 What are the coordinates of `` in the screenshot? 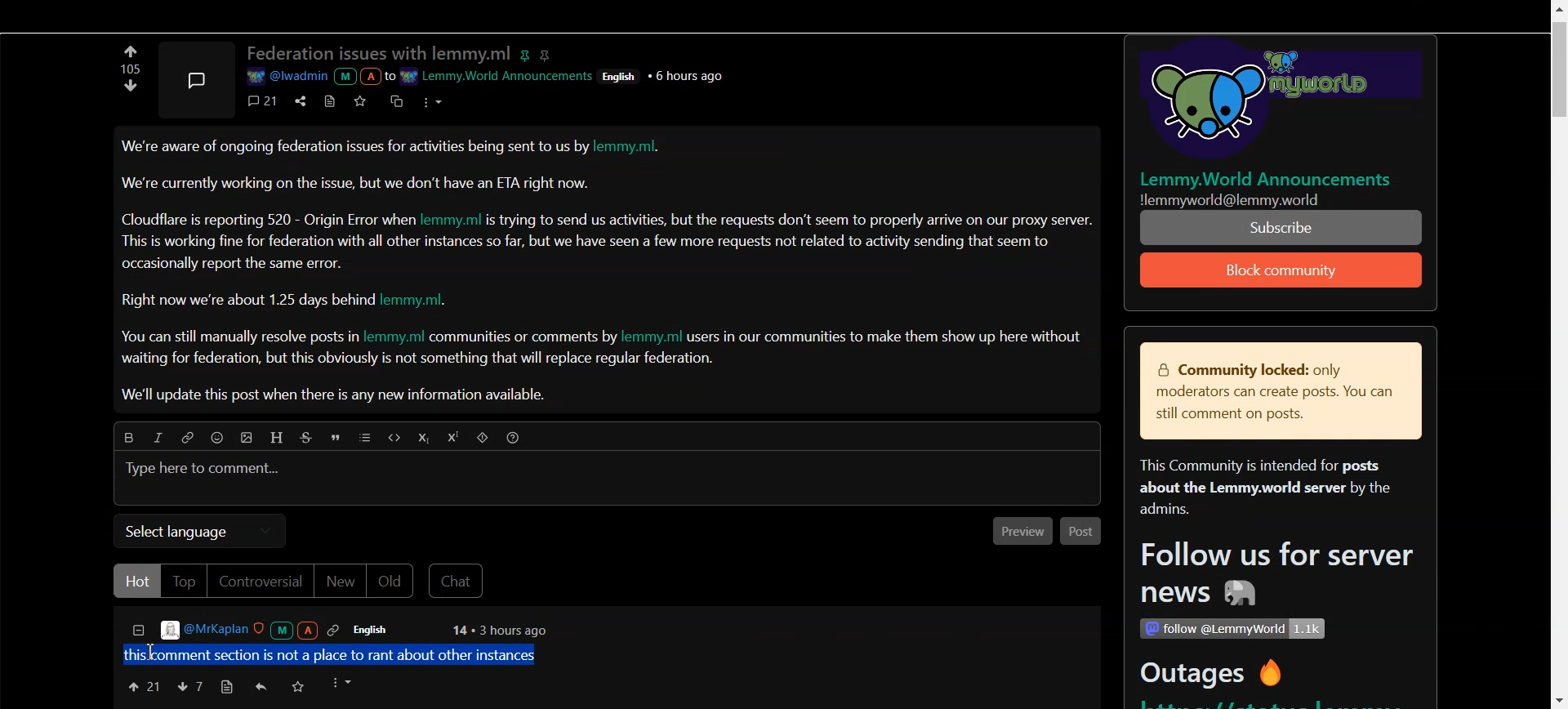 It's located at (690, 75).